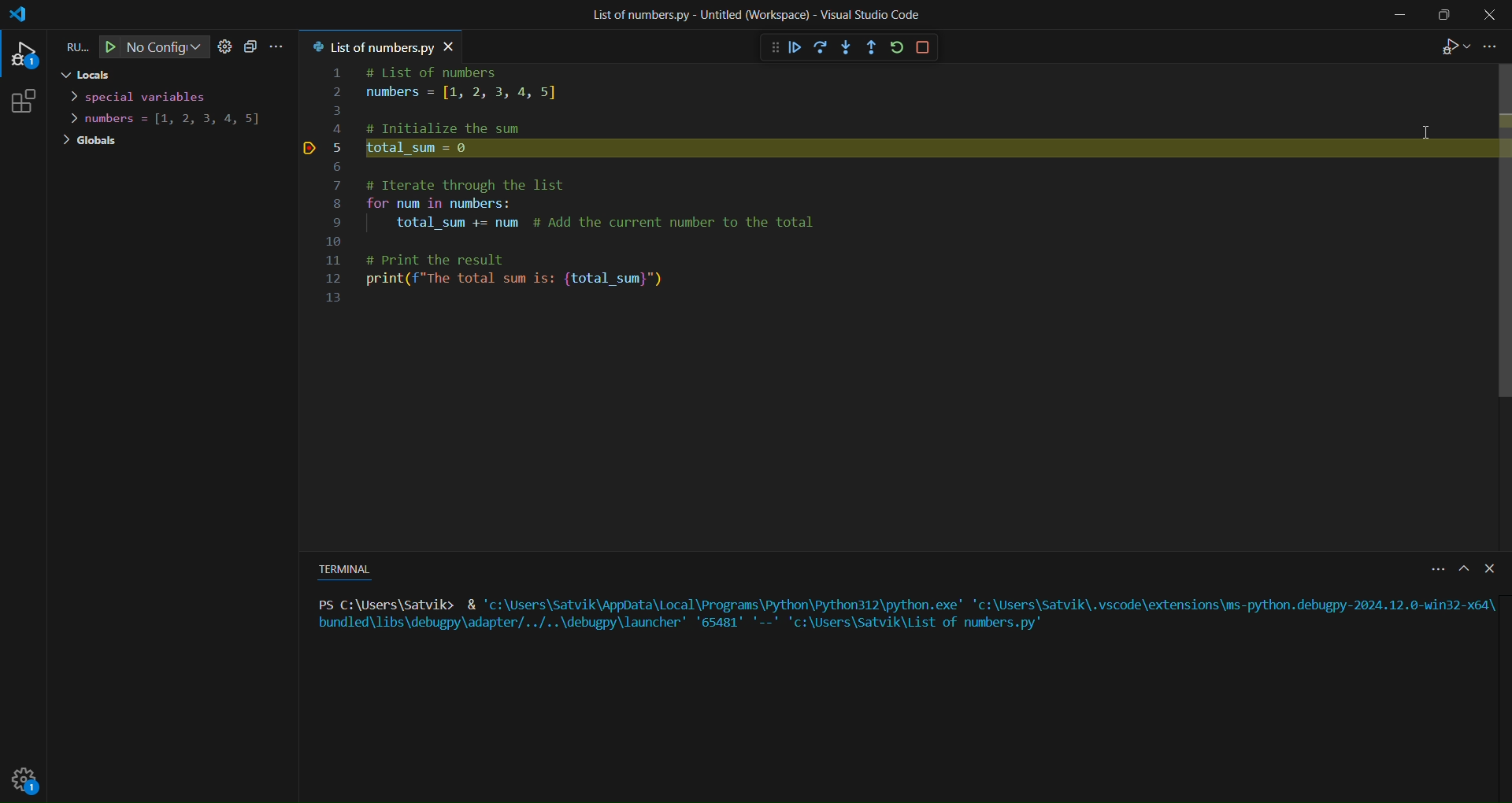  Describe the element at coordinates (761, 46) in the screenshot. I see `move` at that location.